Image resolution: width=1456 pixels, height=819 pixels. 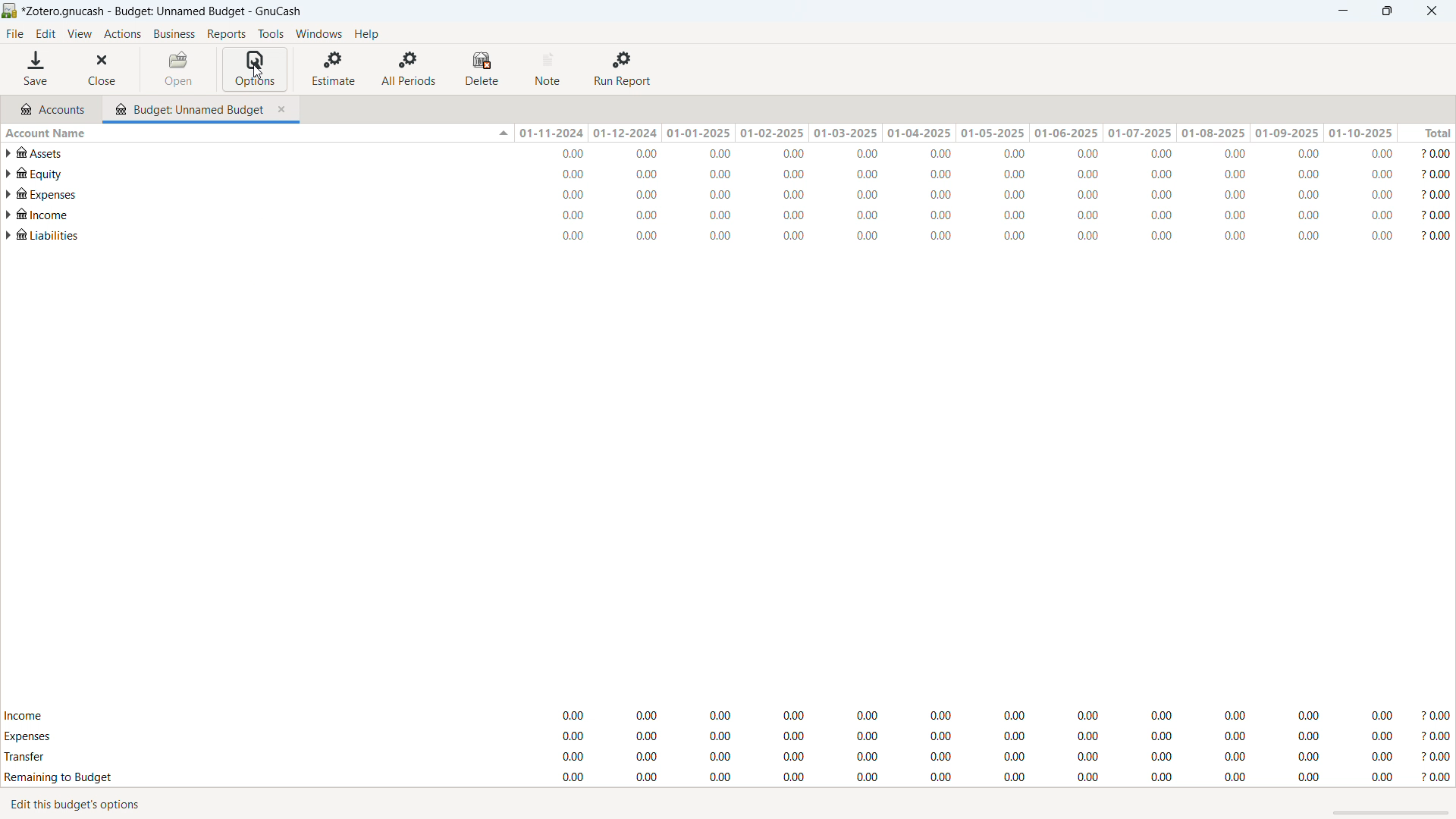 What do you see at coordinates (738, 214) in the screenshot?
I see `account statement for "Income"` at bounding box center [738, 214].